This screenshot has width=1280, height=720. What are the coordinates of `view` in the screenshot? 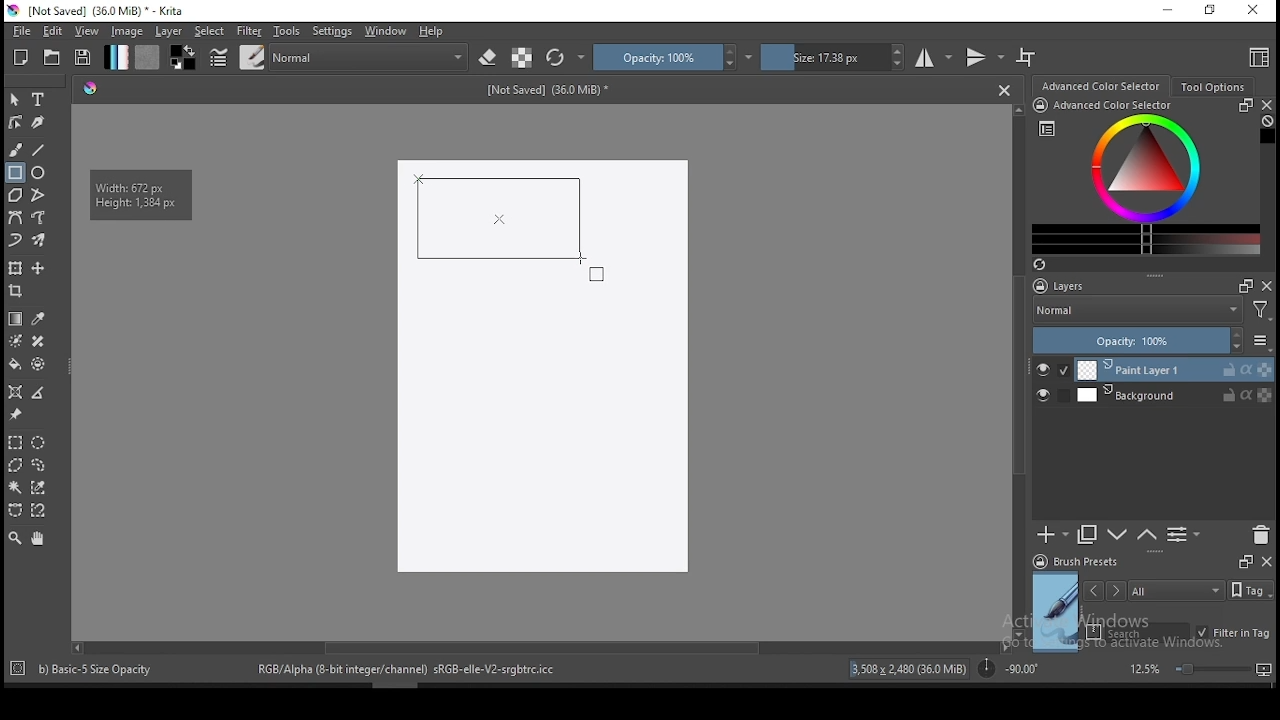 It's located at (86, 31).